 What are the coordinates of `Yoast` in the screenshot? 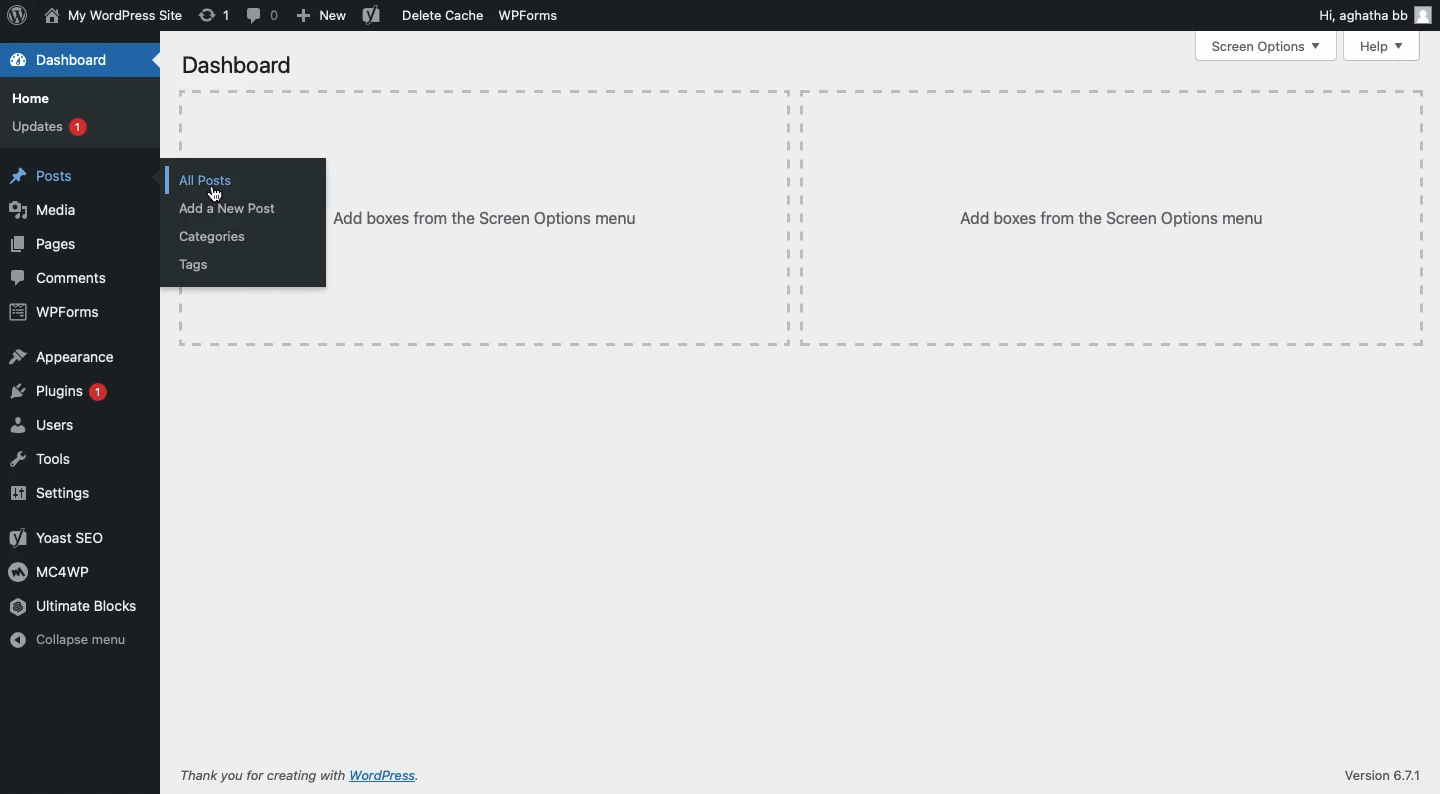 It's located at (373, 15).